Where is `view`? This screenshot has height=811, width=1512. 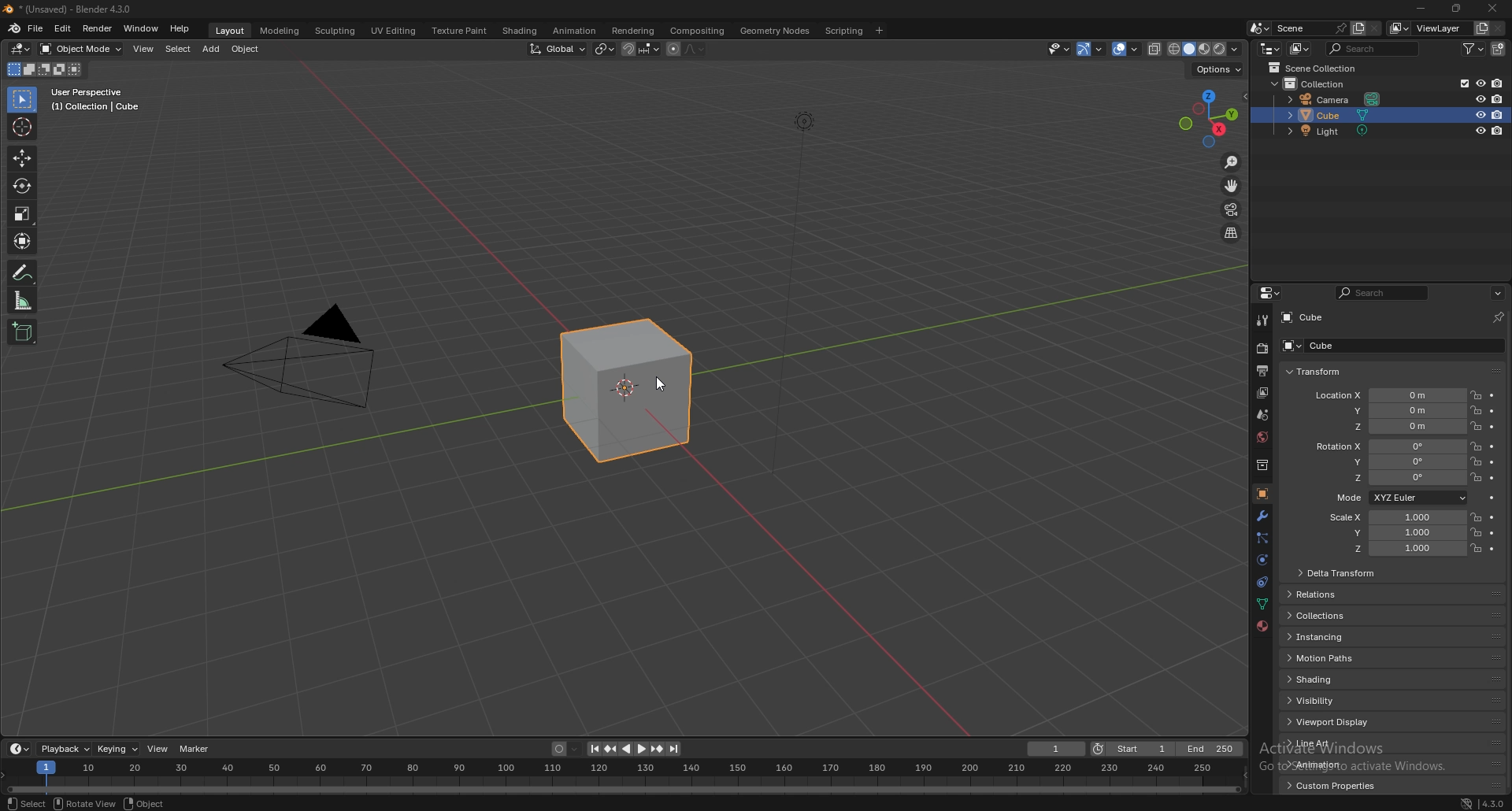 view is located at coordinates (144, 49).